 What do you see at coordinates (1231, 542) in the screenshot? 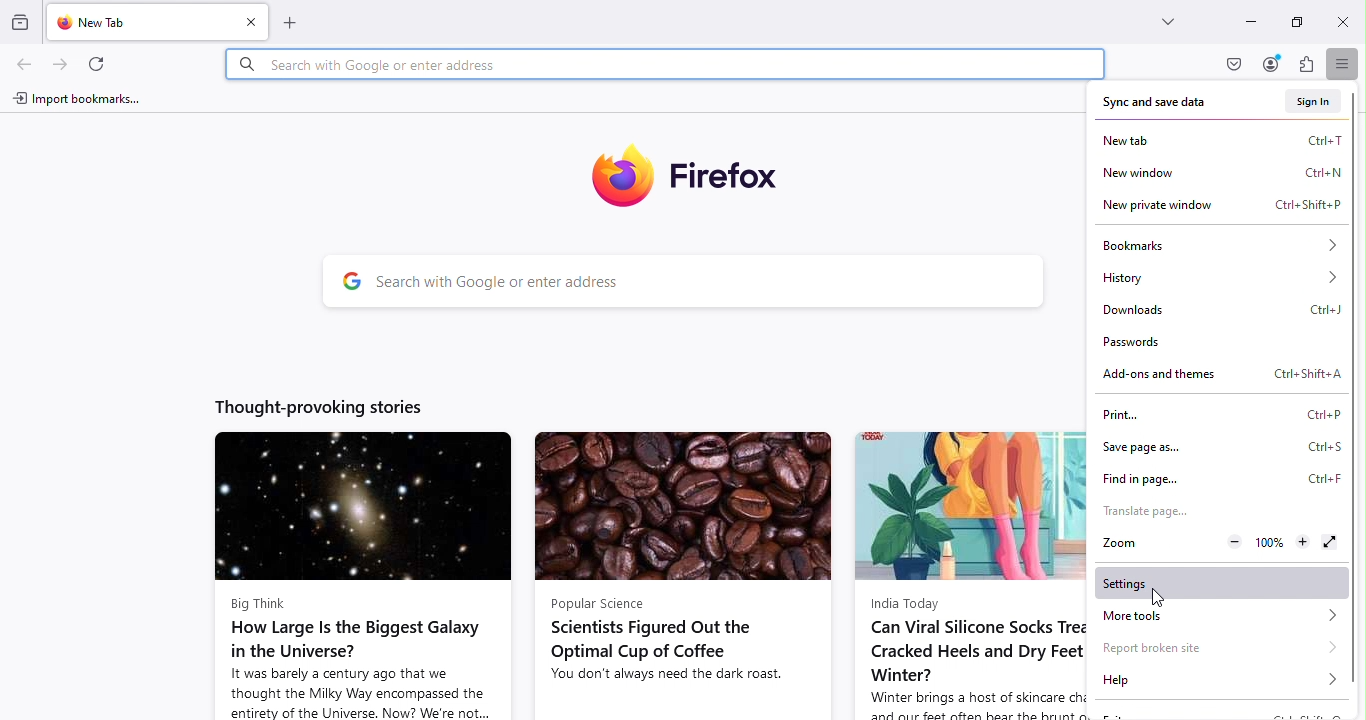
I see `Zoom out` at bounding box center [1231, 542].